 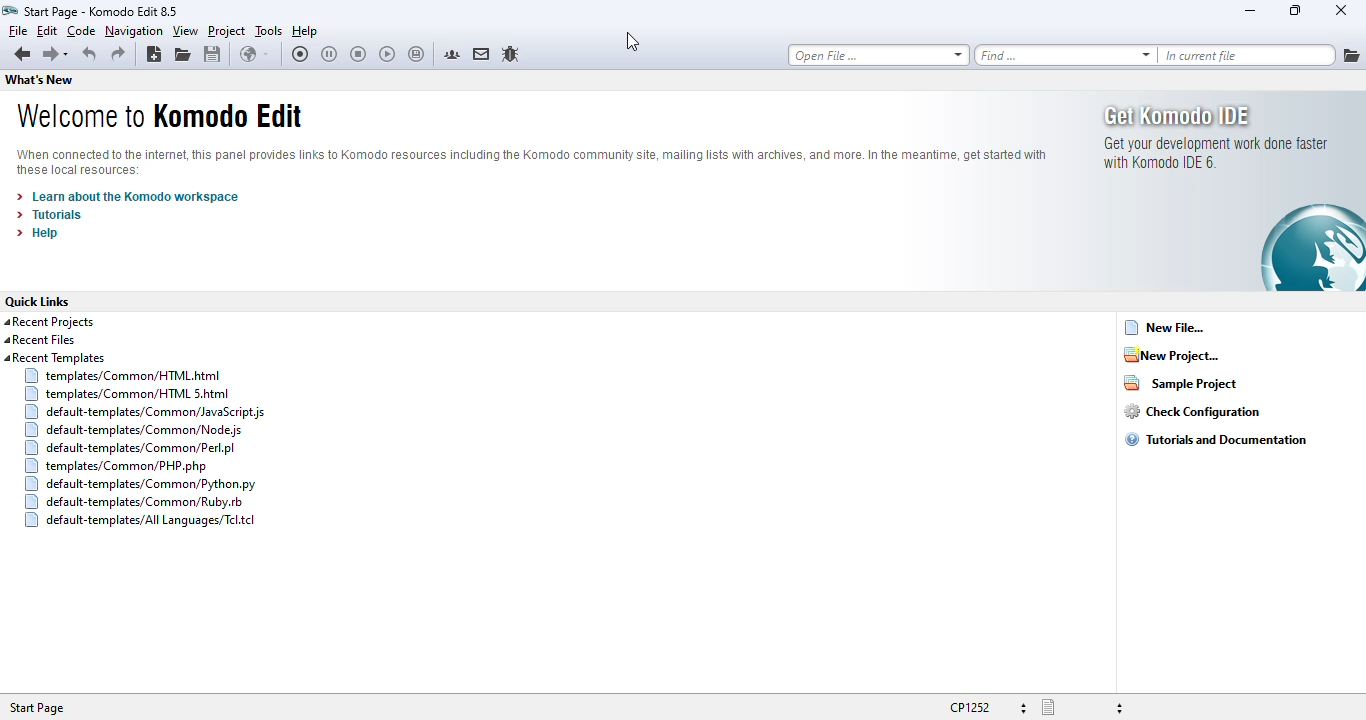 I want to click on komodo email lists, so click(x=482, y=53).